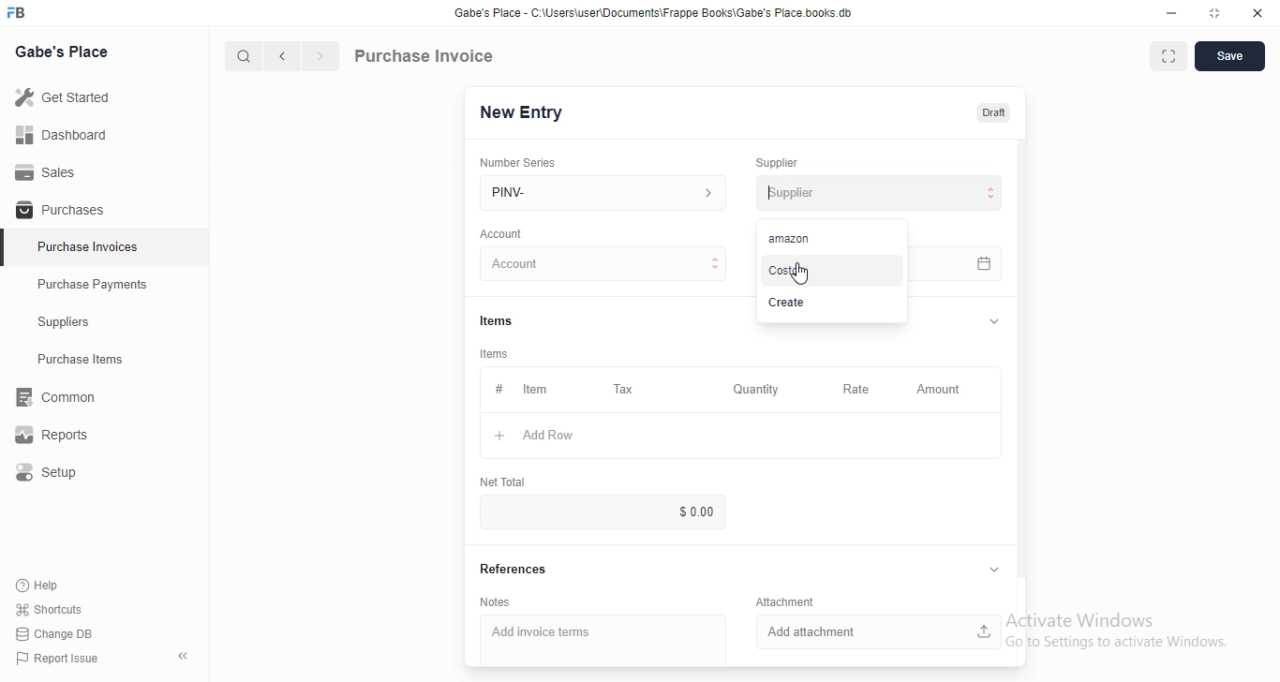 Image resolution: width=1280 pixels, height=682 pixels. Describe the element at coordinates (800, 273) in the screenshot. I see `cursor` at that location.